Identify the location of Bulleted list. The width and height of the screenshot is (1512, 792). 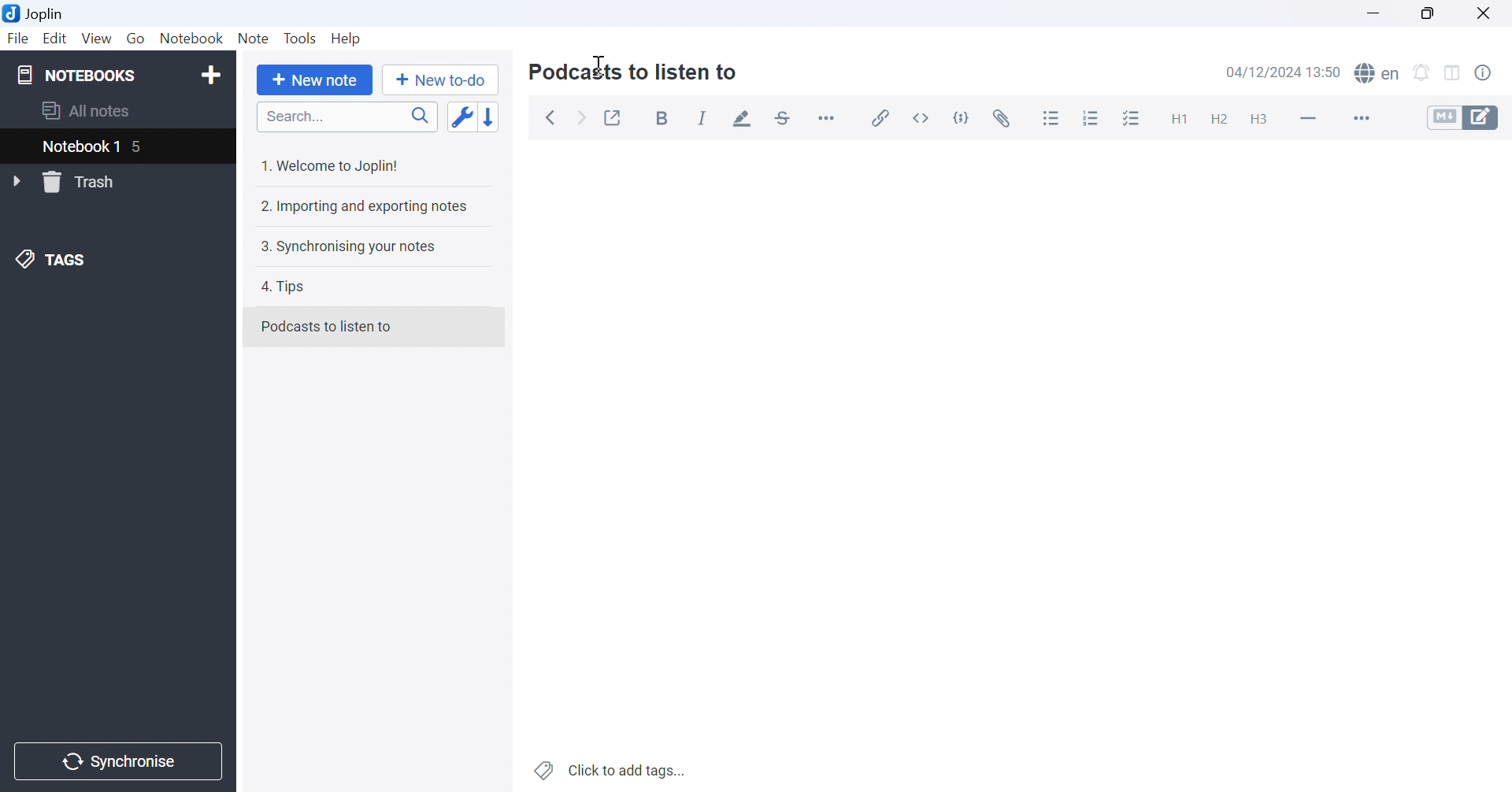
(1052, 117).